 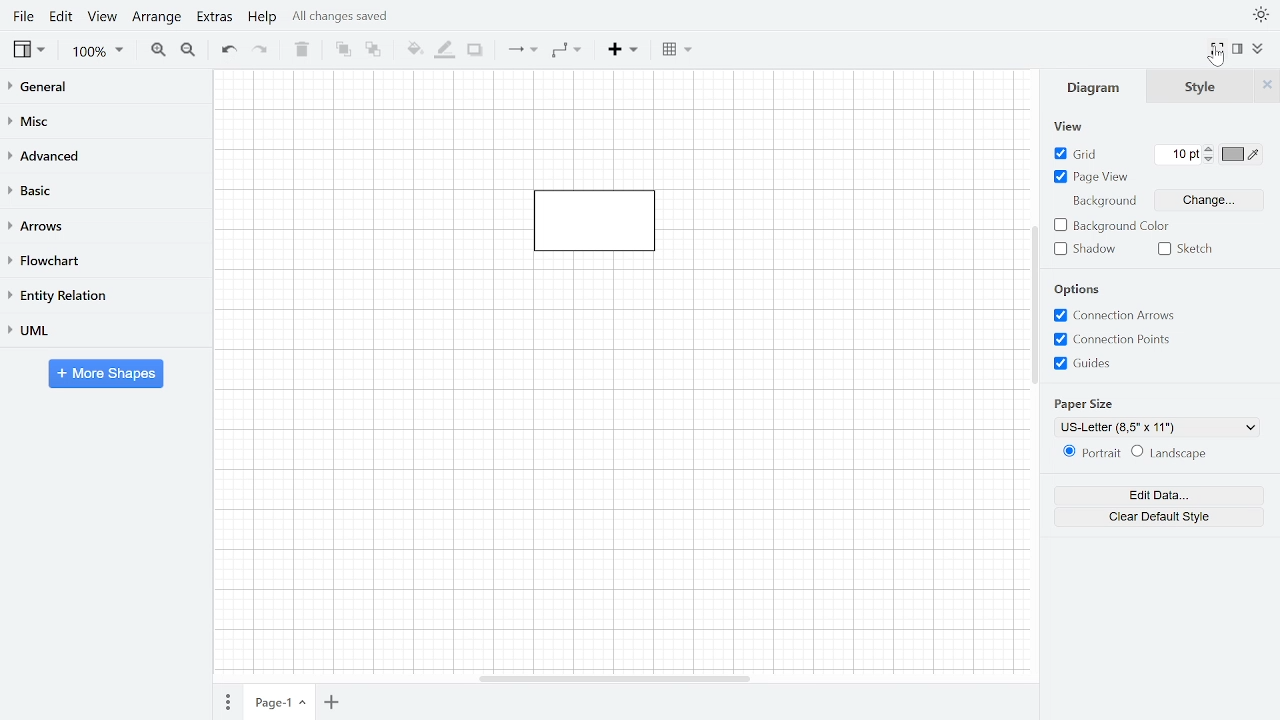 What do you see at coordinates (1084, 403) in the screenshot?
I see `Paper style` at bounding box center [1084, 403].